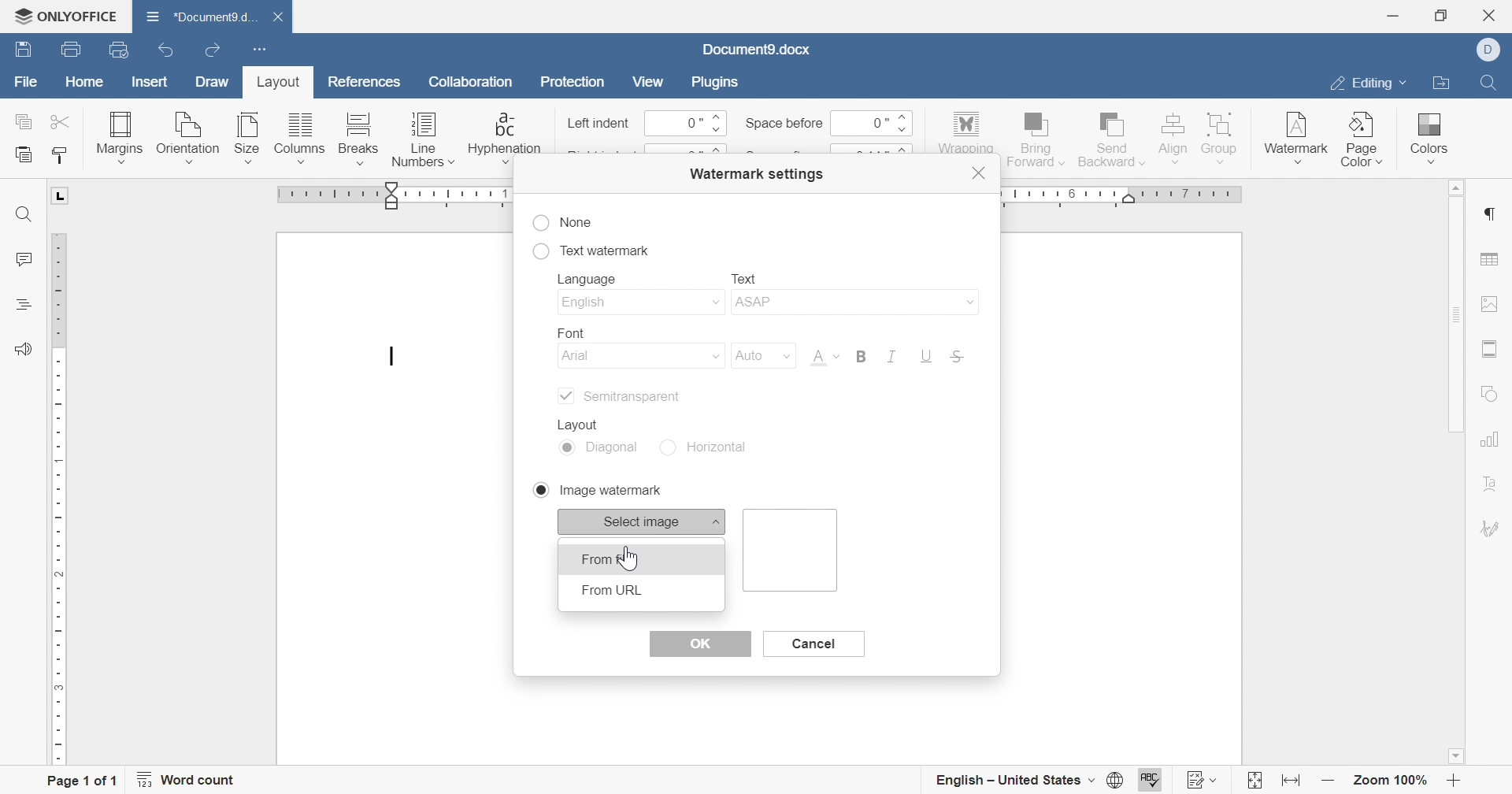 The height and width of the screenshot is (794, 1512). I want to click on text watermark, so click(591, 248).